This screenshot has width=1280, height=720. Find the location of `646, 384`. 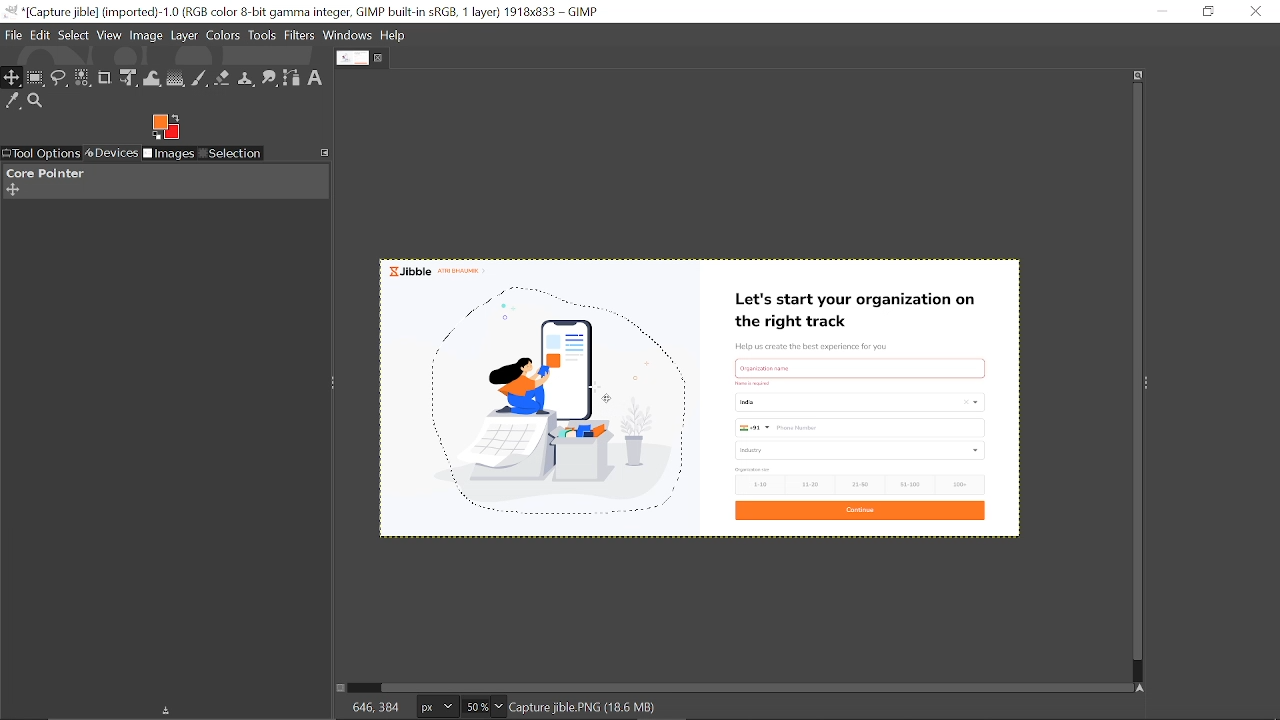

646, 384 is located at coordinates (376, 706).